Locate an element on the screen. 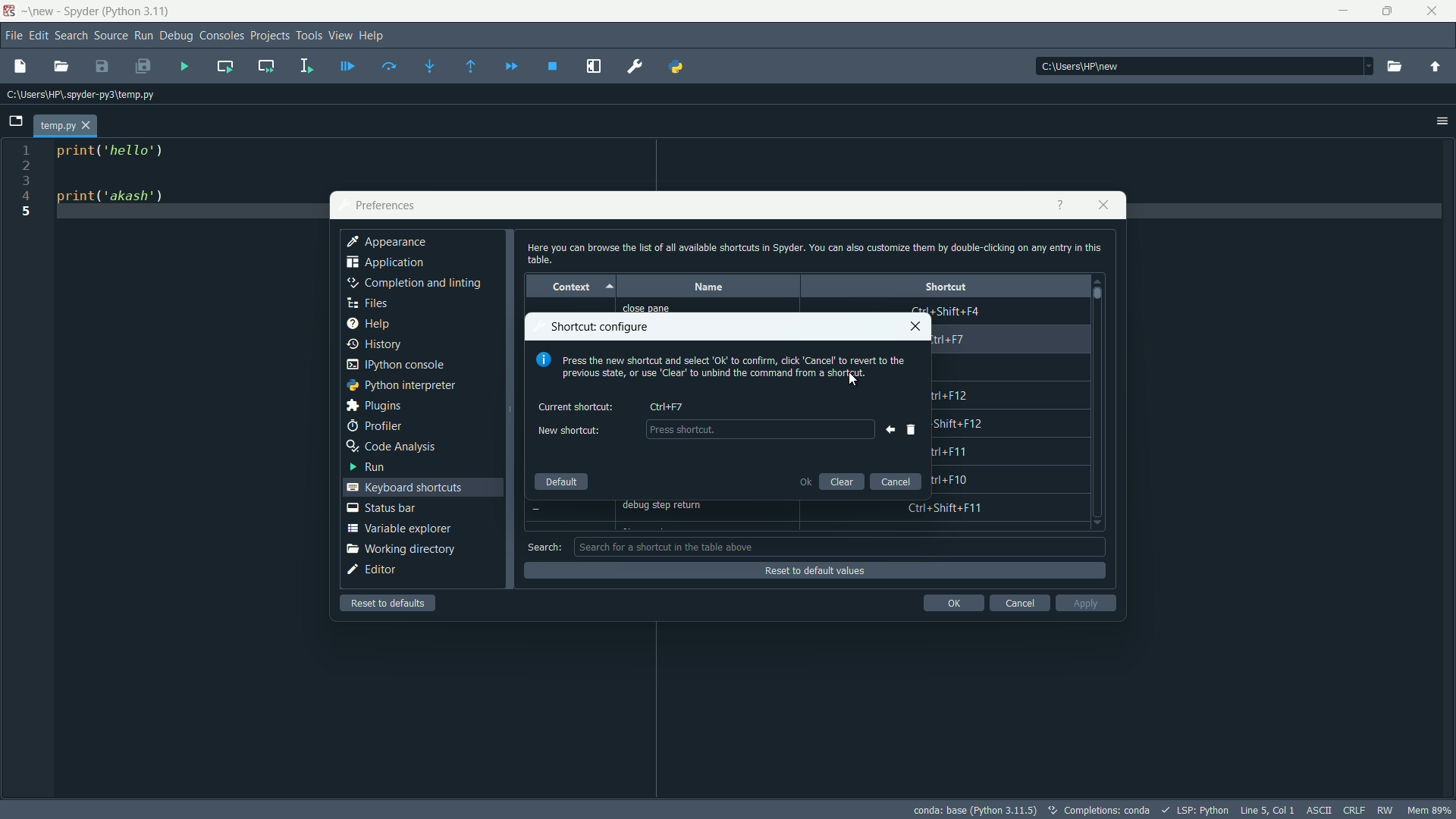 Image resolution: width=1456 pixels, height=819 pixels. ipython console is located at coordinates (395, 366).